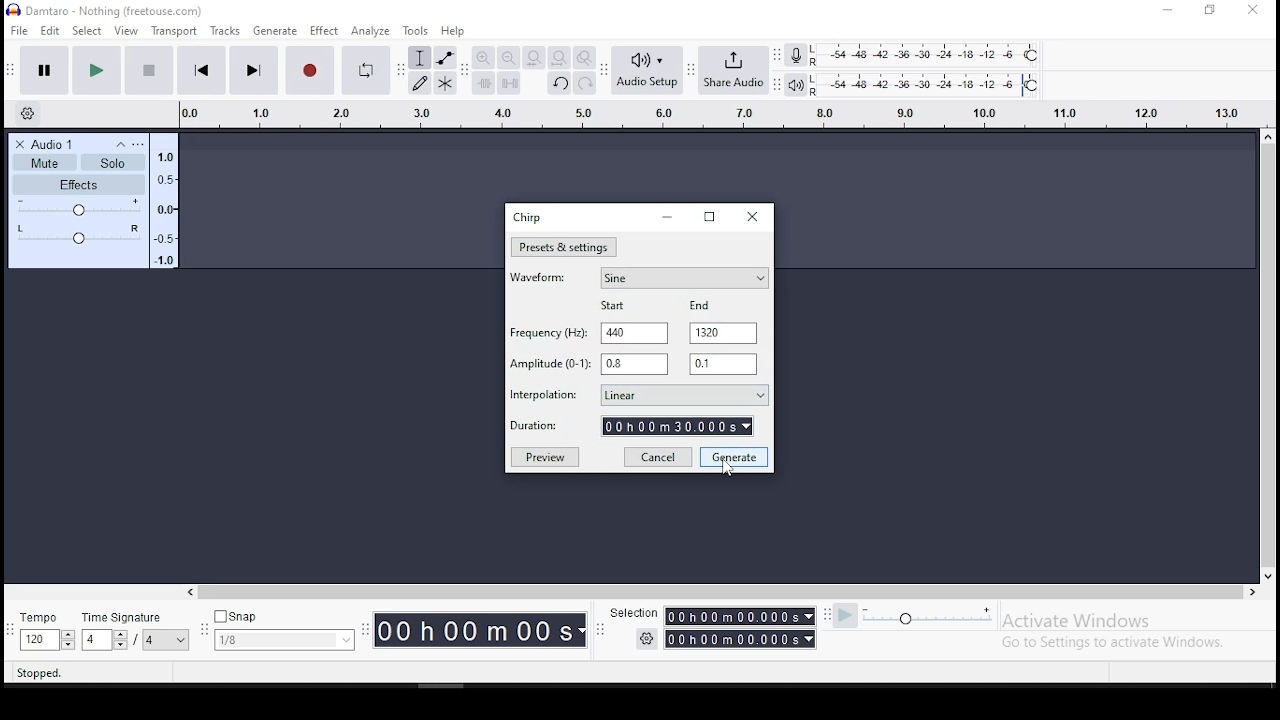 The height and width of the screenshot is (720, 1280). Describe the element at coordinates (1253, 9) in the screenshot. I see `close window` at that location.